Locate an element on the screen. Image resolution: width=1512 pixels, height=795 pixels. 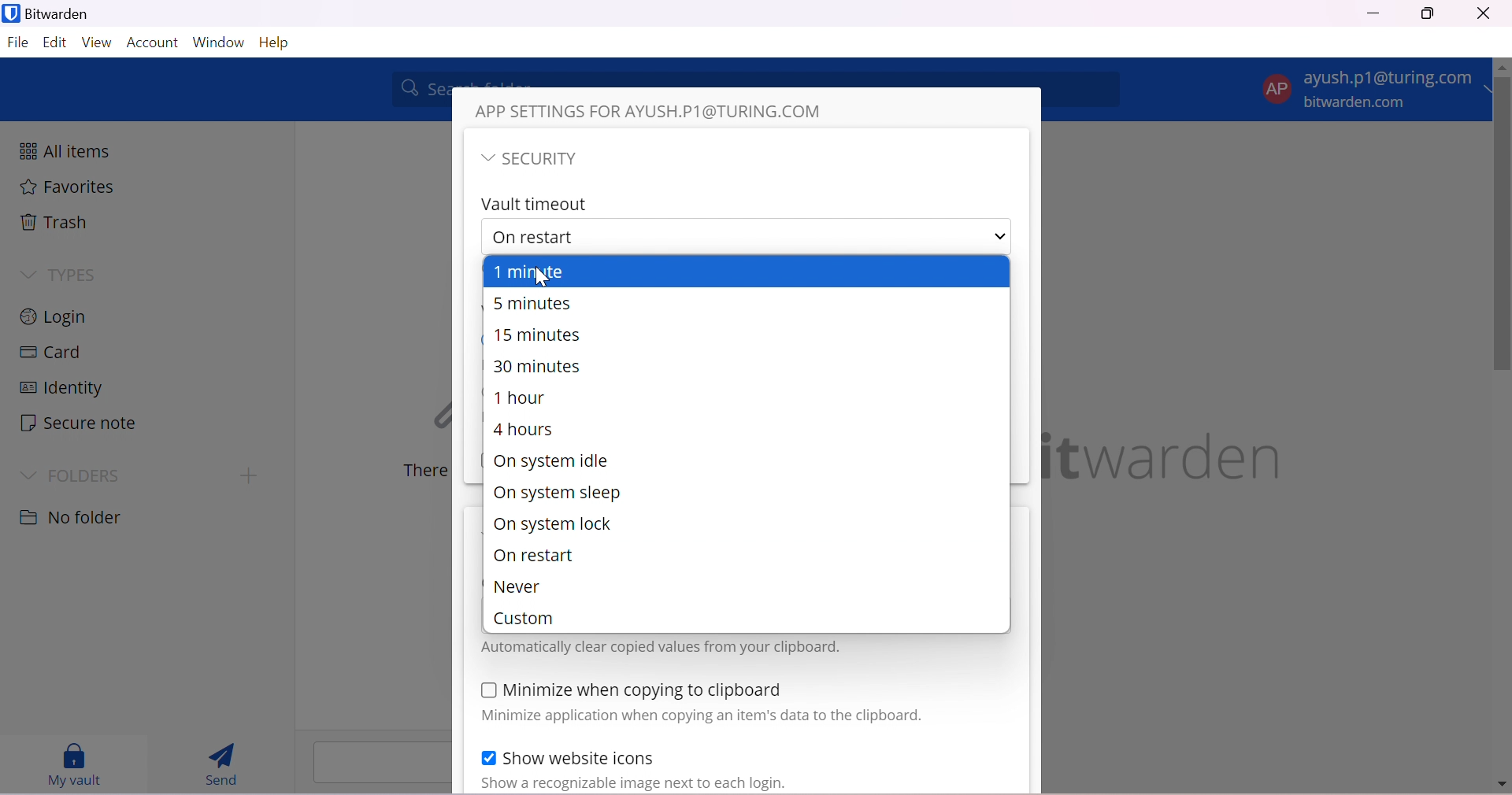
Close is located at coordinates (1483, 13).